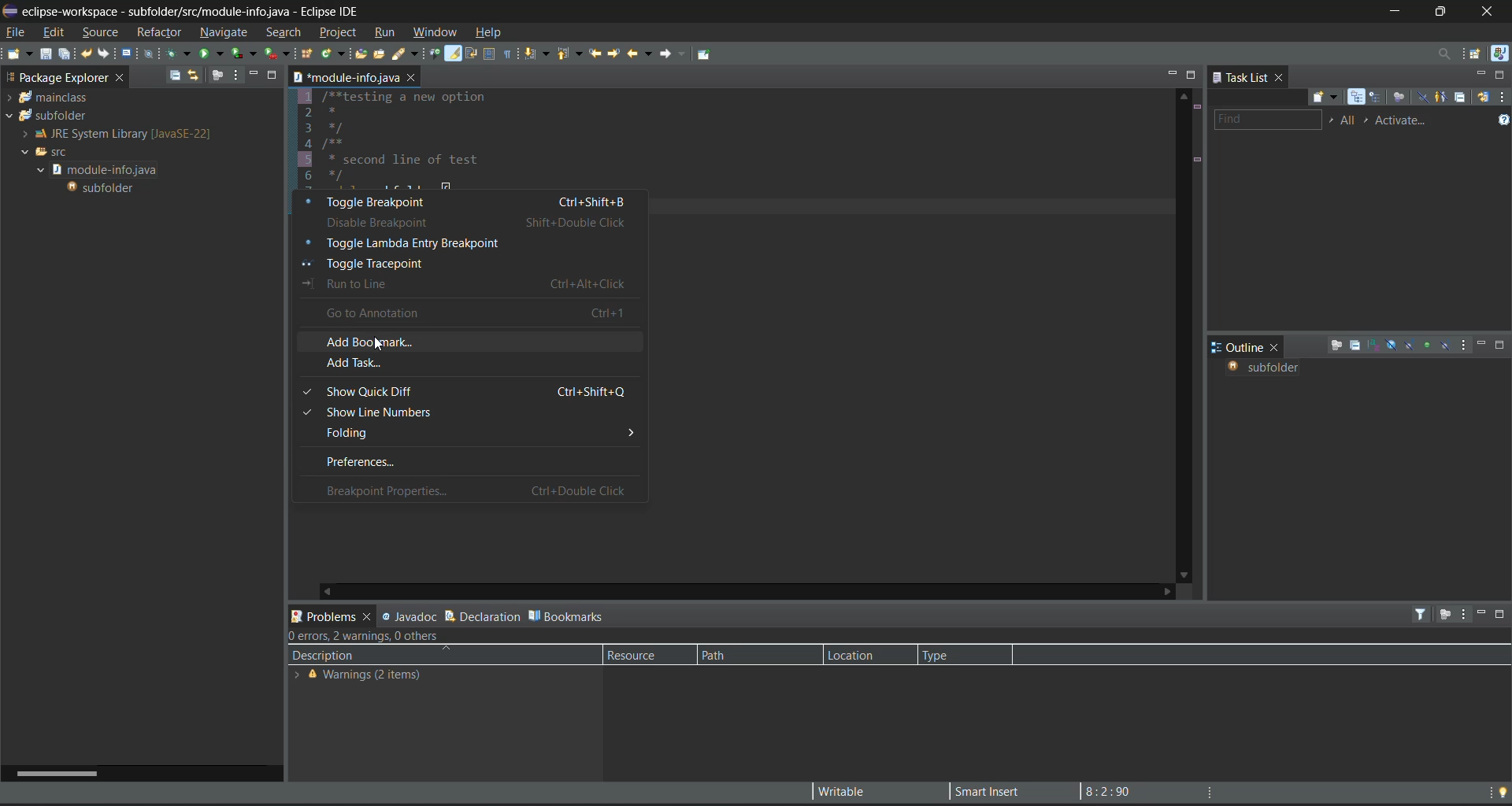 This screenshot has width=1512, height=806. I want to click on focus on active task, so click(219, 74).